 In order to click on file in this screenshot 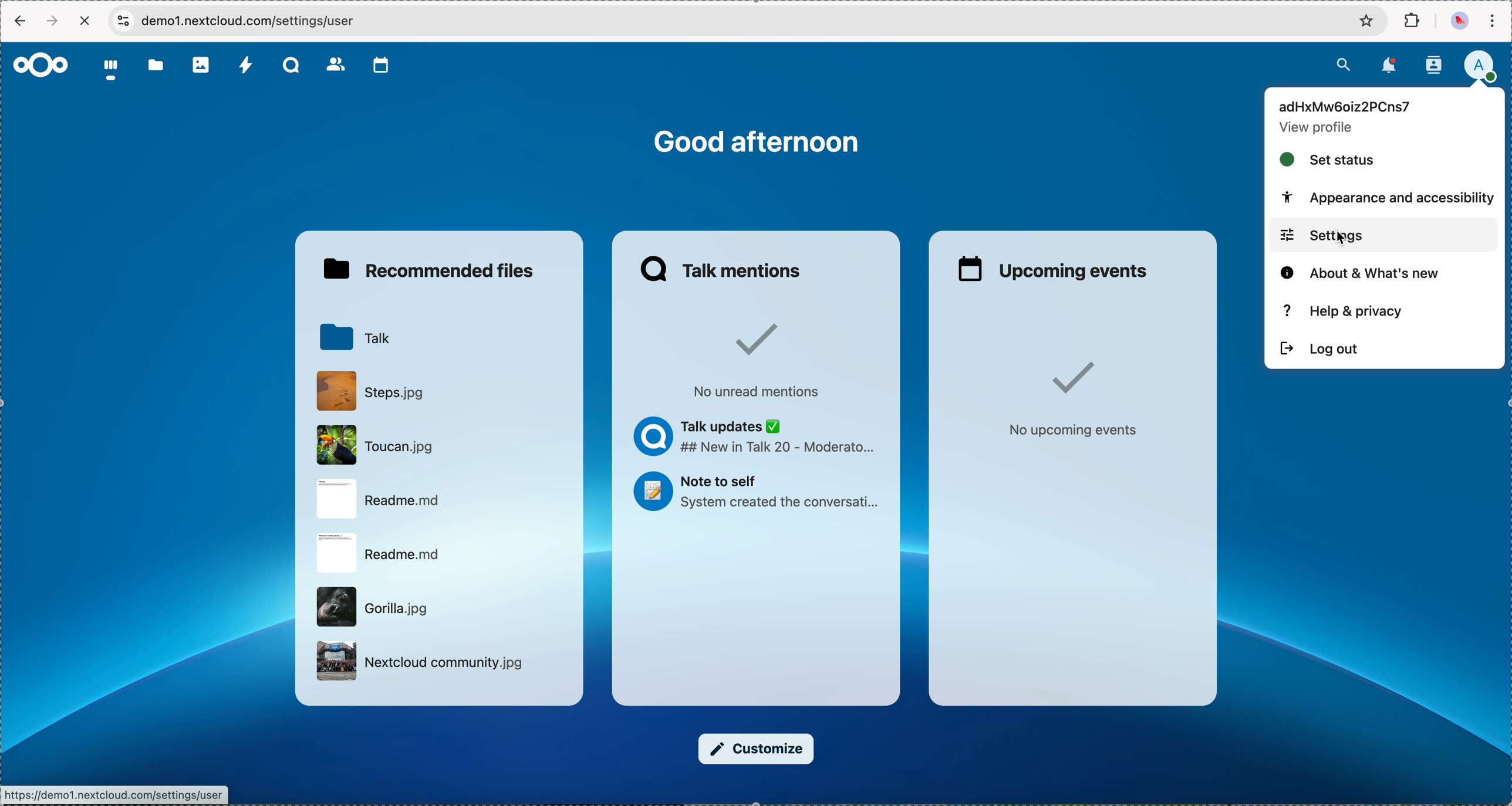, I will do `click(369, 390)`.